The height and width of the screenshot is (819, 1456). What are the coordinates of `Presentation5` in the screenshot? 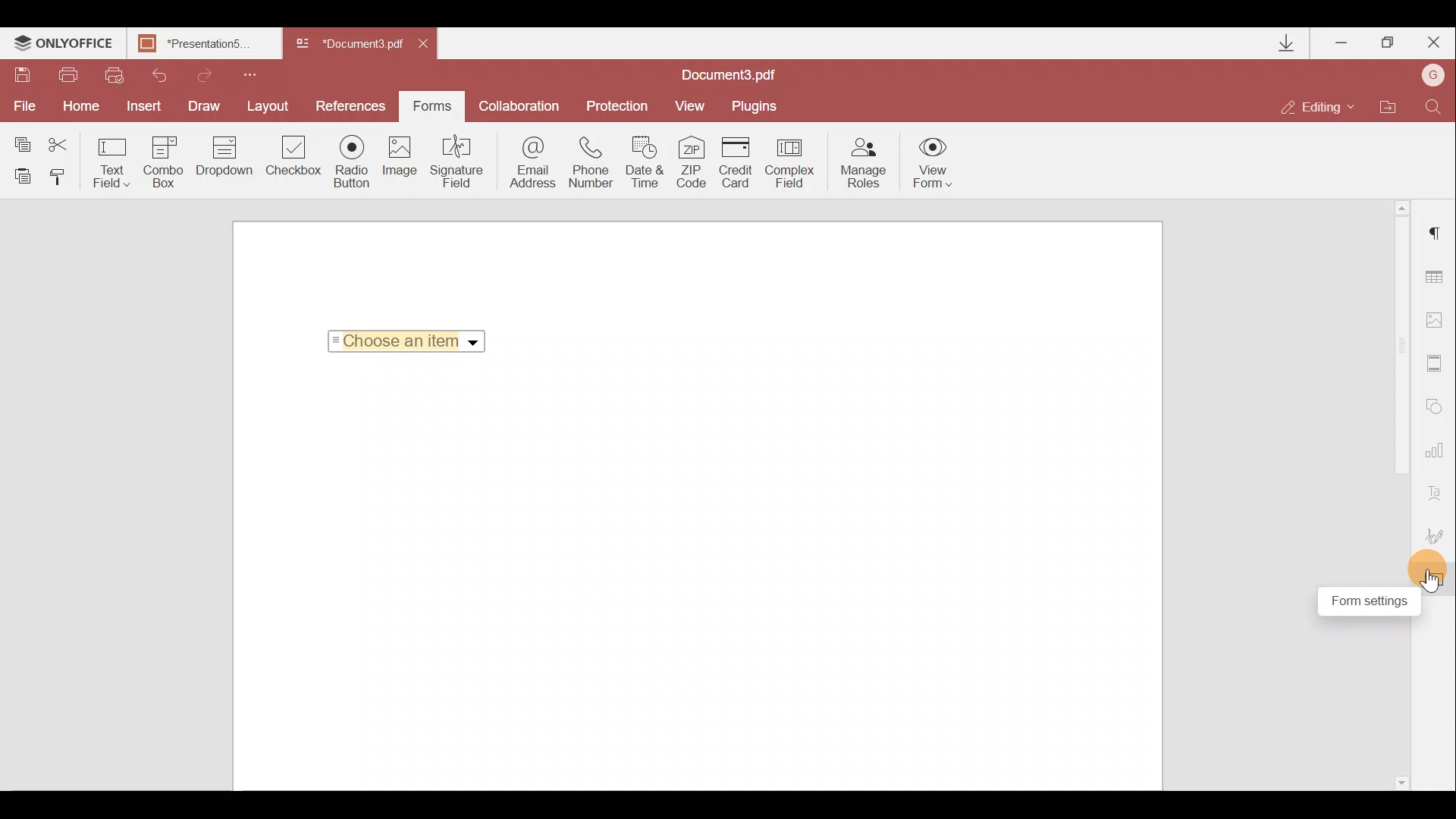 It's located at (201, 45).